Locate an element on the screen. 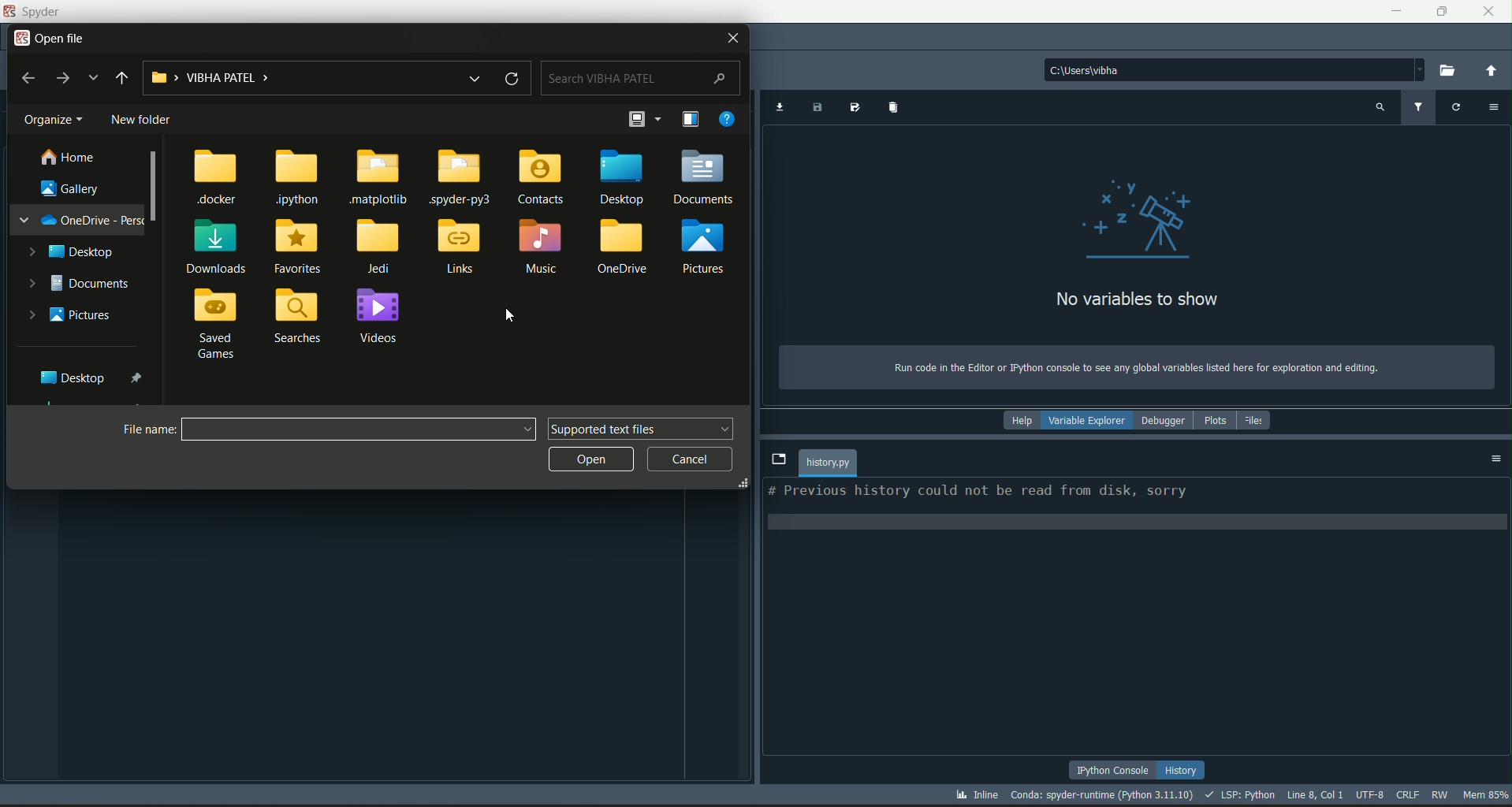  downloads is located at coordinates (216, 247).